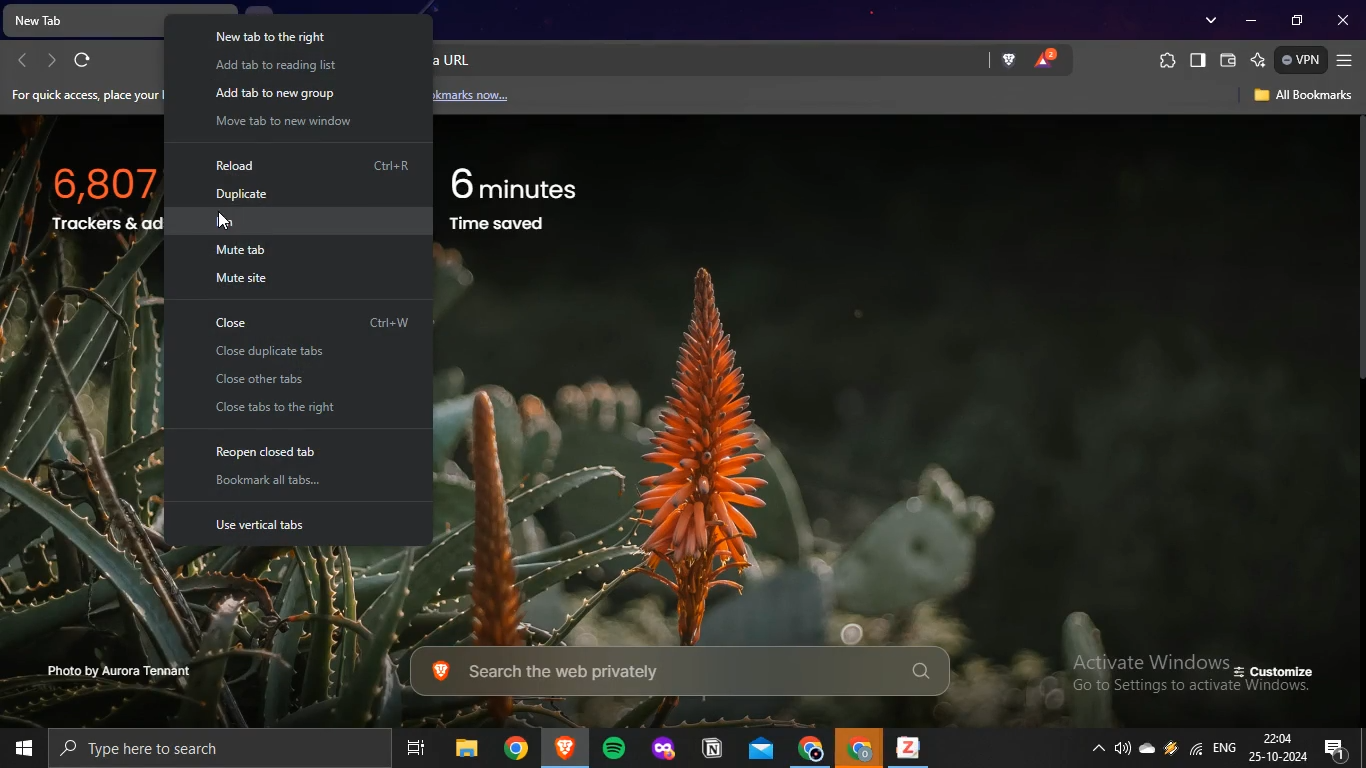  What do you see at coordinates (240, 222) in the screenshot?
I see `pin` at bounding box center [240, 222].